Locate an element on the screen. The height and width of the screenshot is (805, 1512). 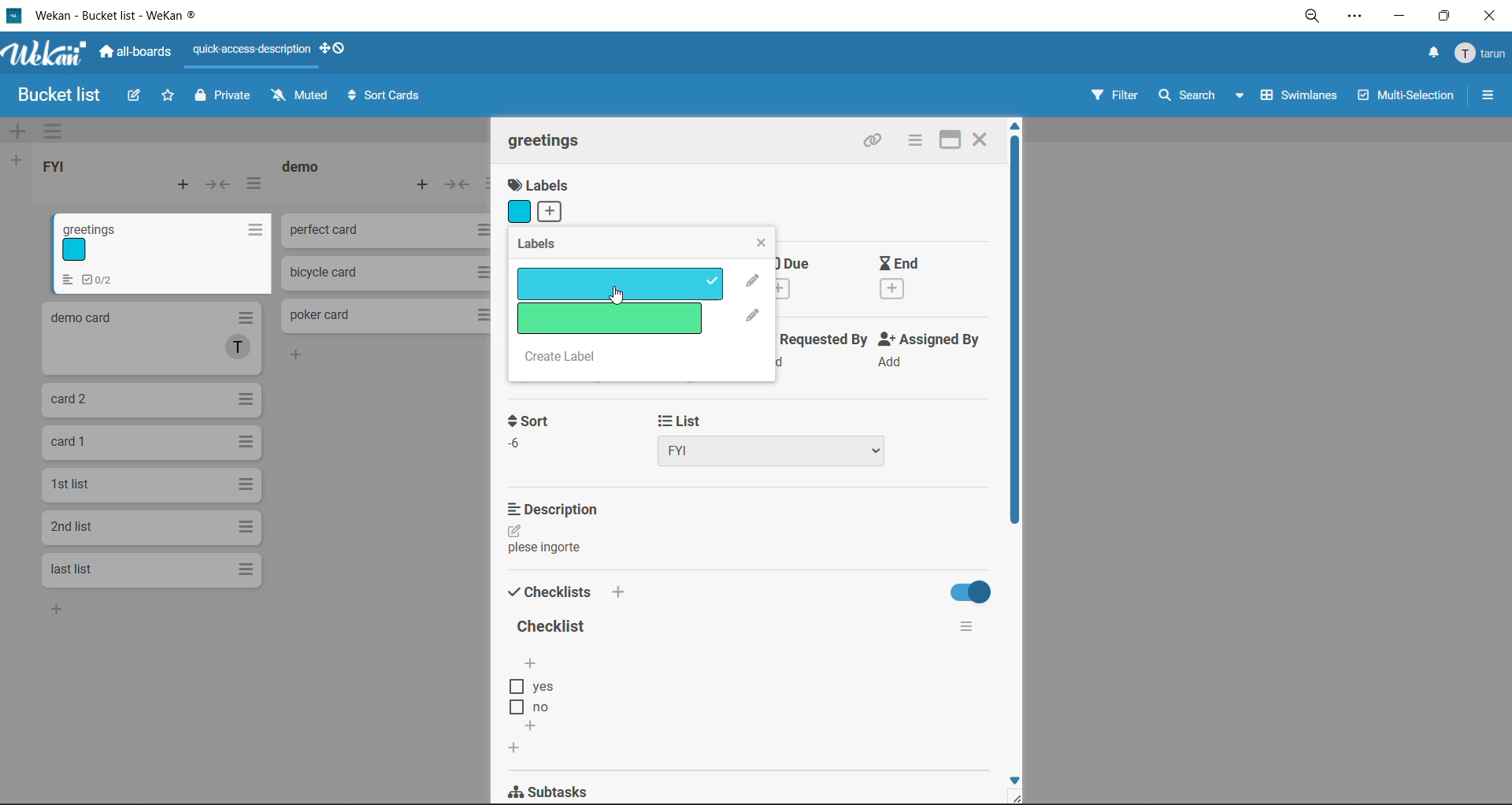
collapse is located at coordinates (220, 184).